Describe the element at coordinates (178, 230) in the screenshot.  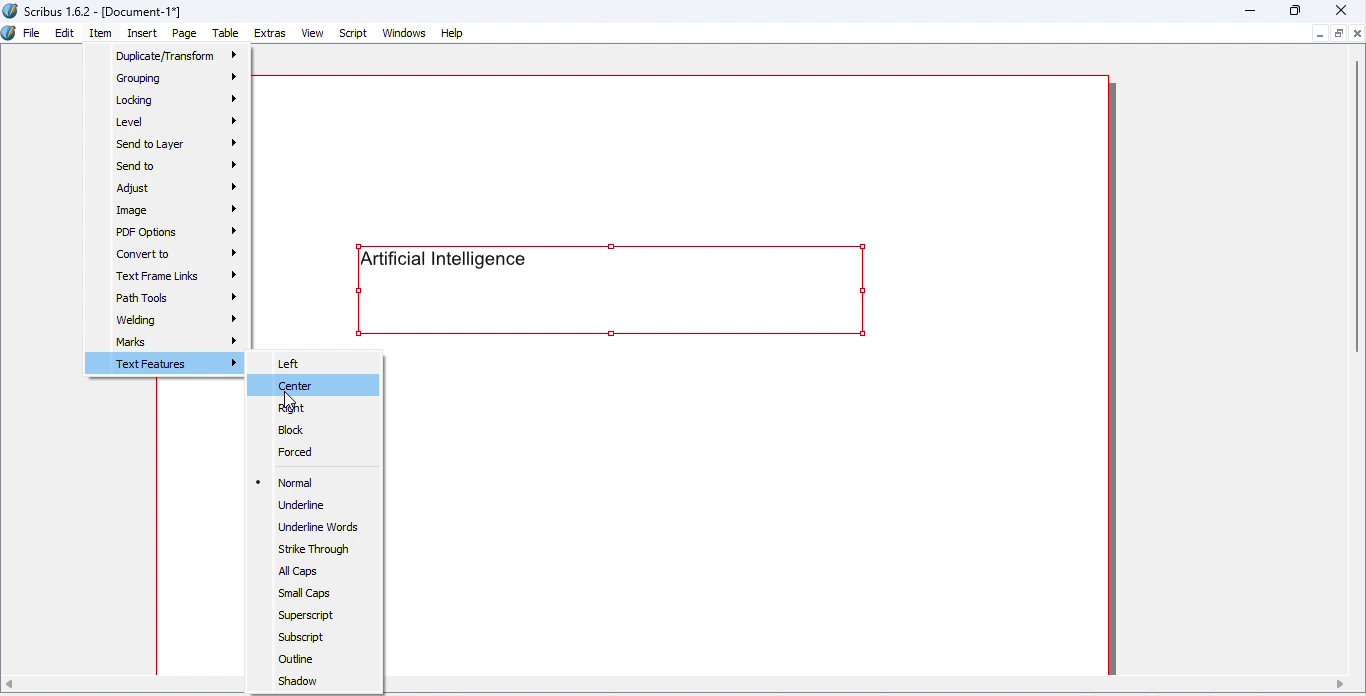
I see `PDF options` at that location.